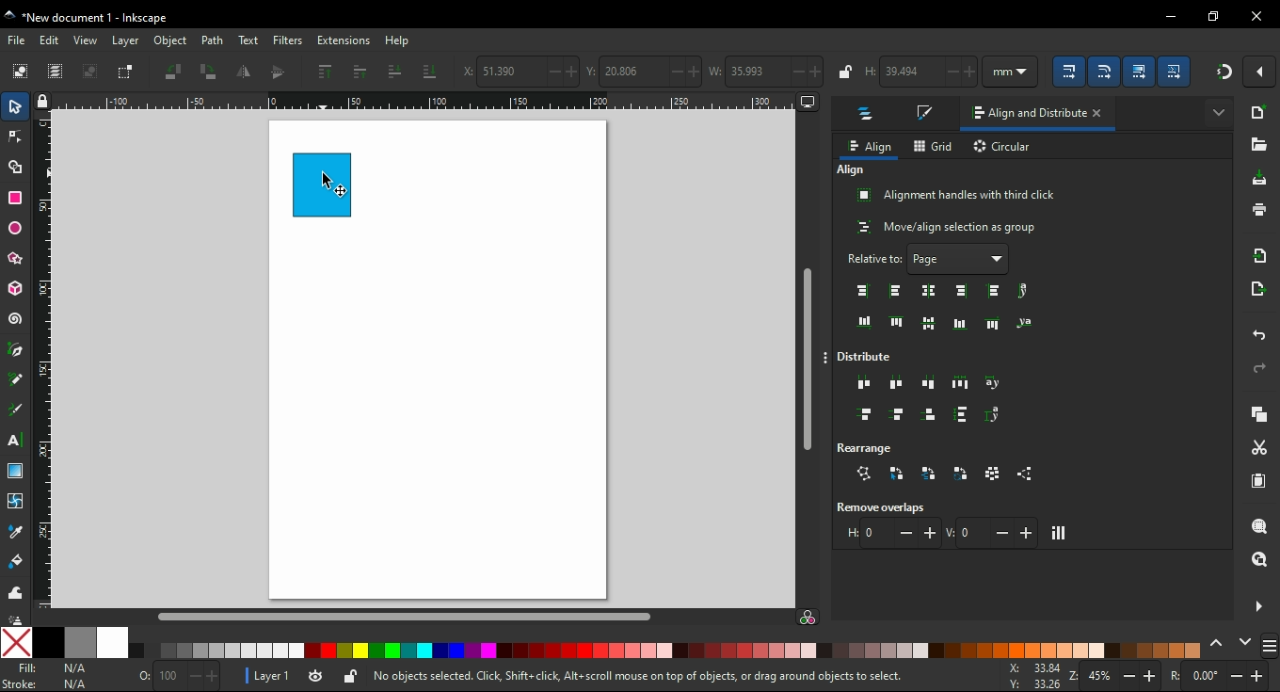 The height and width of the screenshot is (692, 1280). Describe the element at coordinates (928, 473) in the screenshot. I see `change positions of selected objects - stacking order` at that location.